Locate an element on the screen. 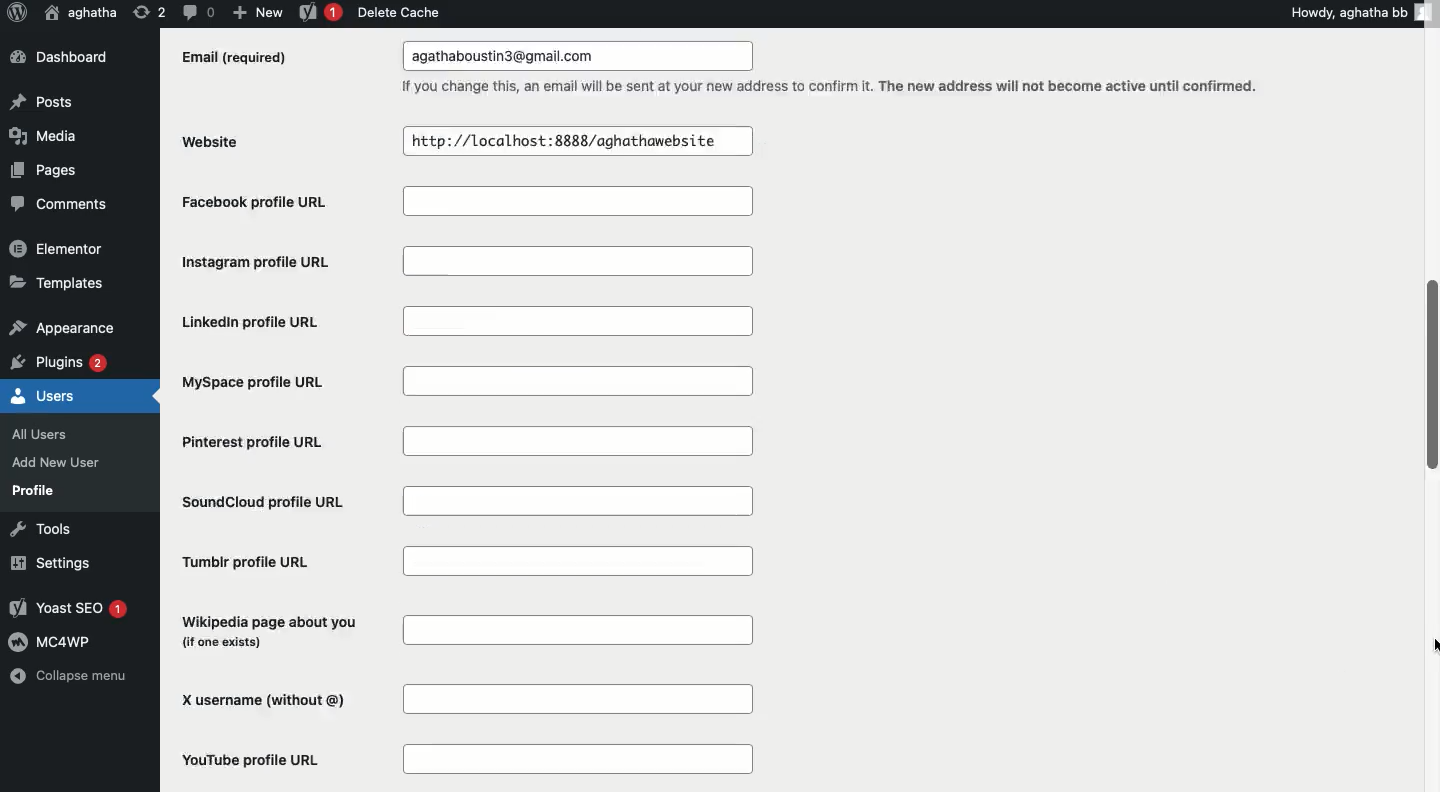 This screenshot has width=1440, height=792. Templates is located at coordinates (58, 281).